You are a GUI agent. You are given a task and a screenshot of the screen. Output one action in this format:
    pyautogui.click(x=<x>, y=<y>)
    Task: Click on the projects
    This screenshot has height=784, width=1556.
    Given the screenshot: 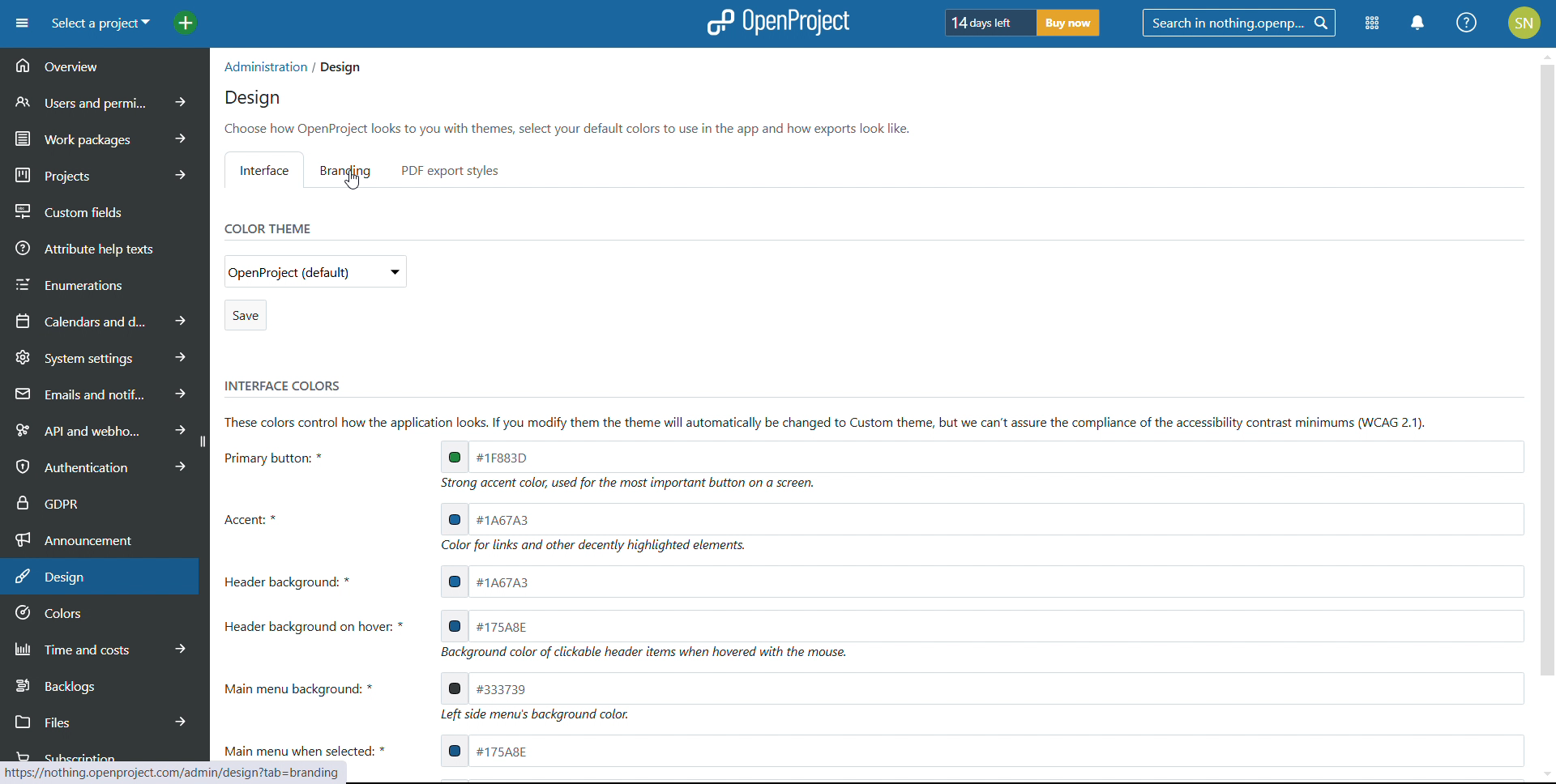 What is the action you would take?
    pyautogui.click(x=105, y=173)
    